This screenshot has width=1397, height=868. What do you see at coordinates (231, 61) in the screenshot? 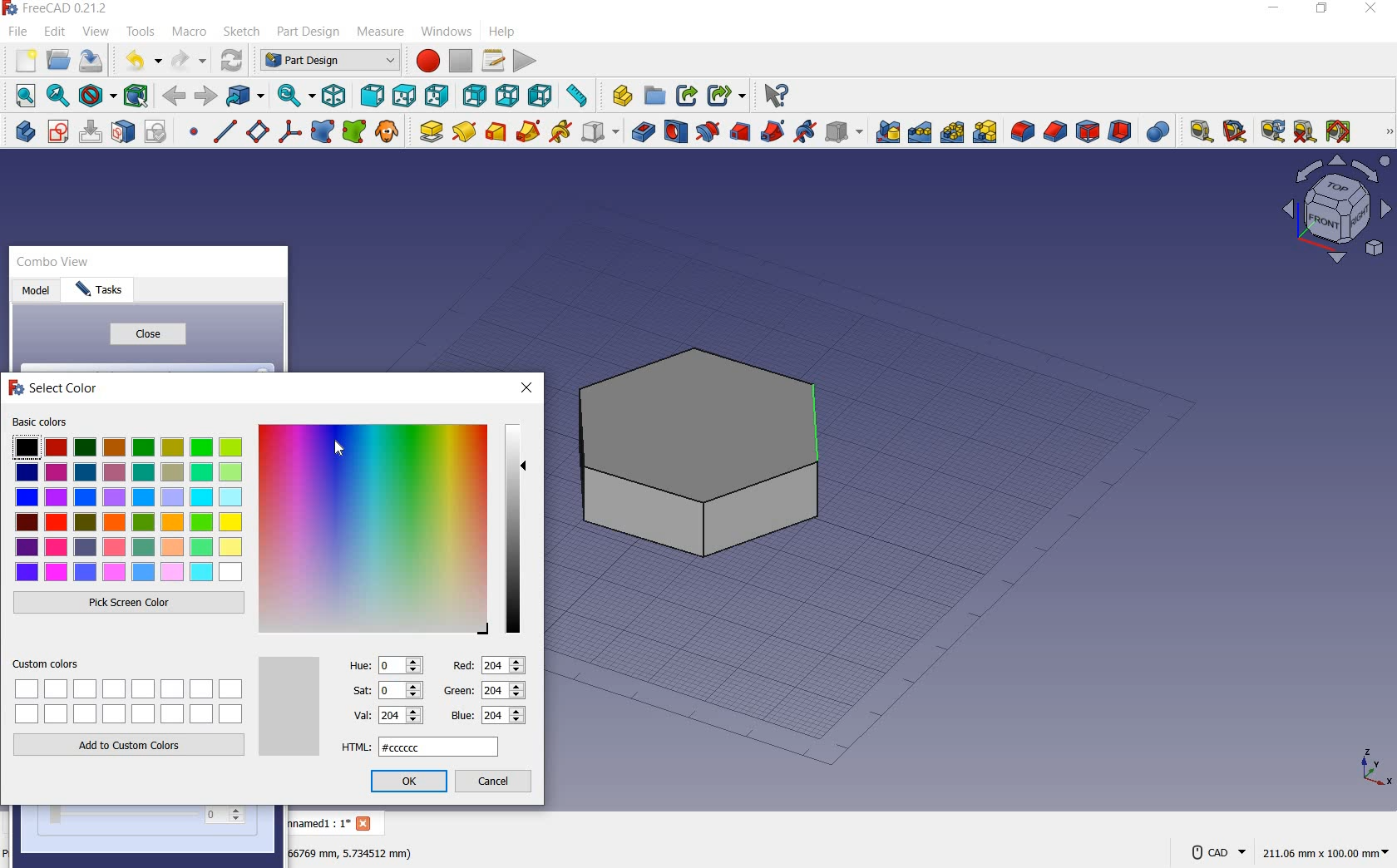
I see `refresh` at bounding box center [231, 61].